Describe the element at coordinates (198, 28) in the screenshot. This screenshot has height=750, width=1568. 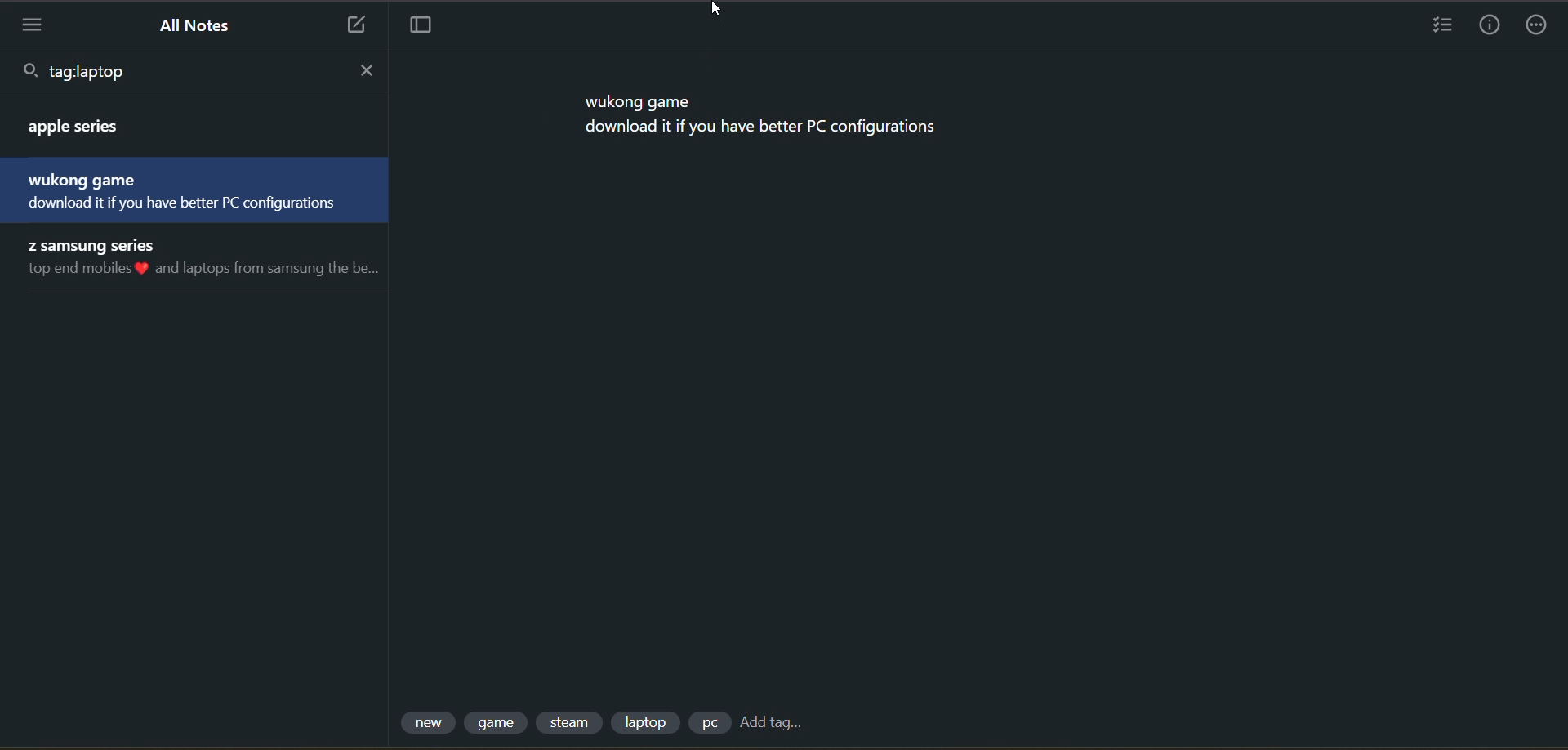
I see `all notes` at that location.